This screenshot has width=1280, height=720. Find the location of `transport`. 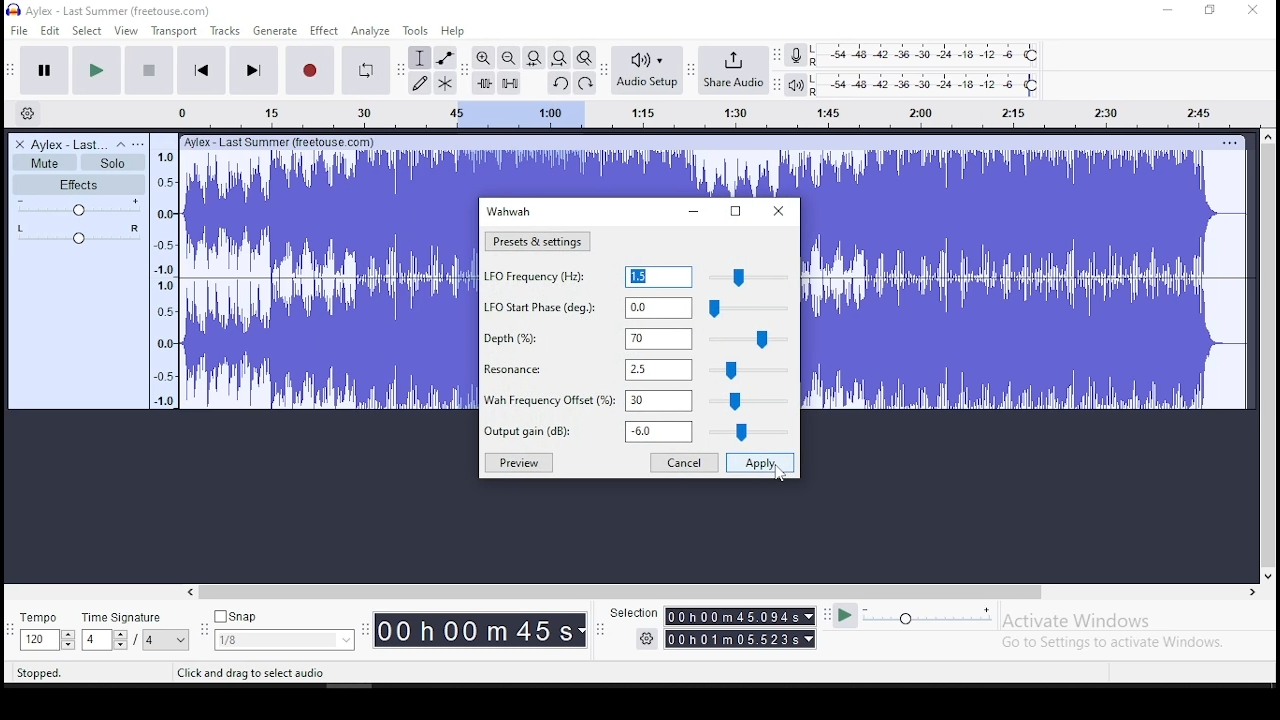

transport is located at coordinates (173, 30).